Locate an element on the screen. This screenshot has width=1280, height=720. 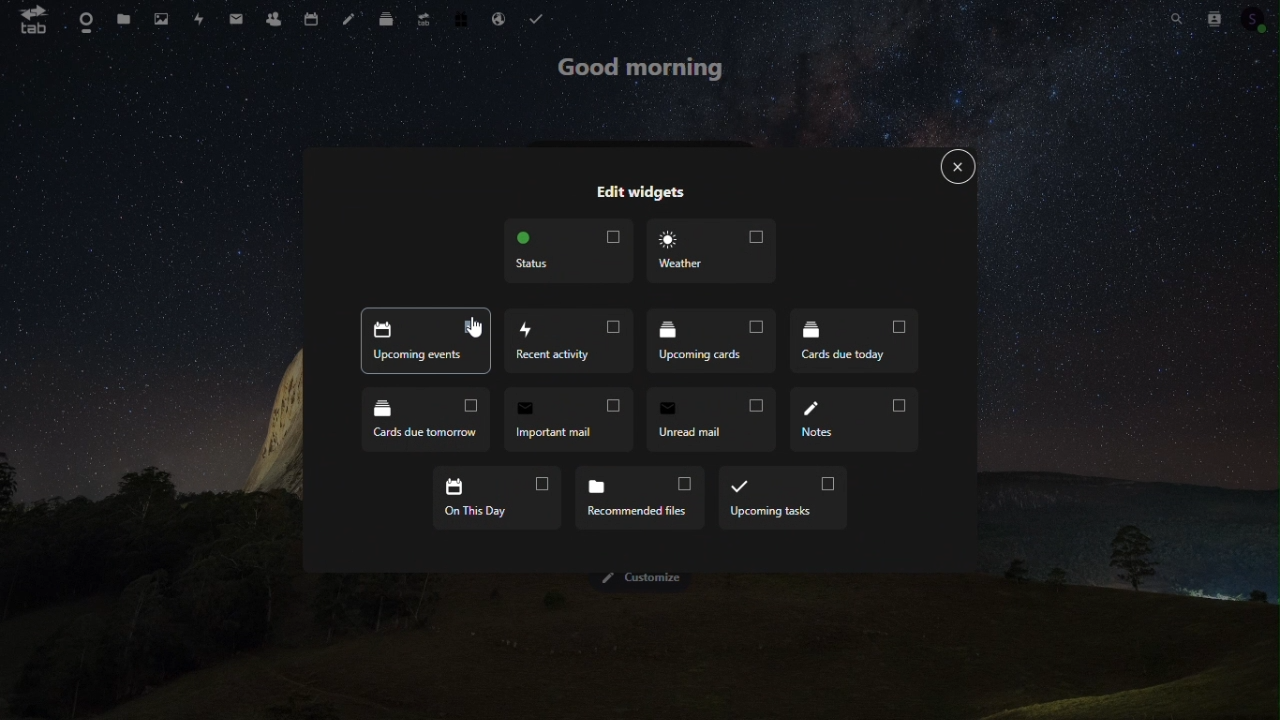
Important mail is located at coordinates (566, 420).